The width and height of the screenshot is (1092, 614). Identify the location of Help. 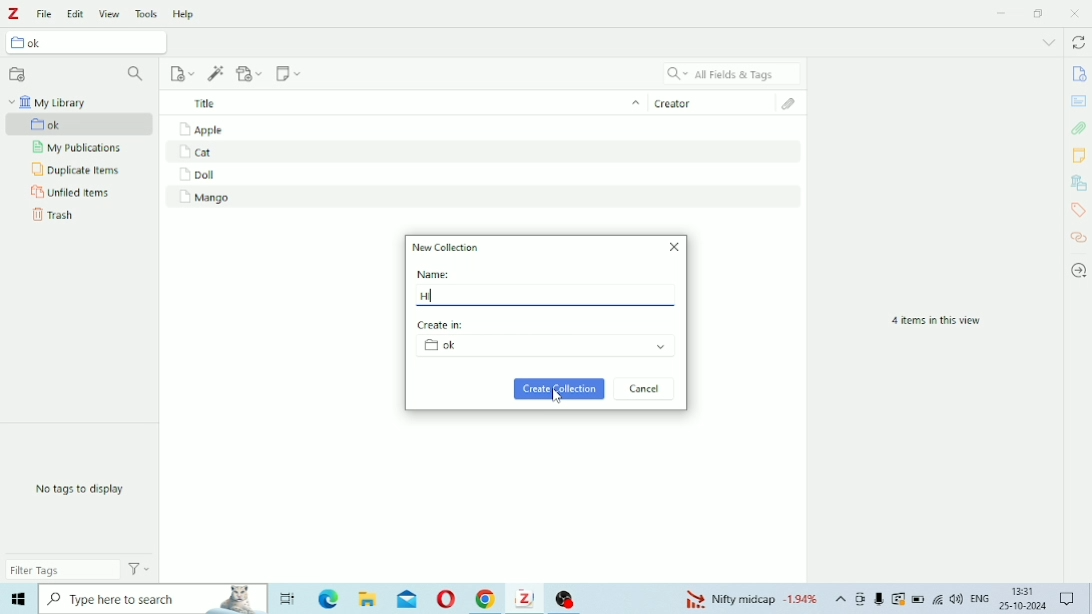
(184, 13).